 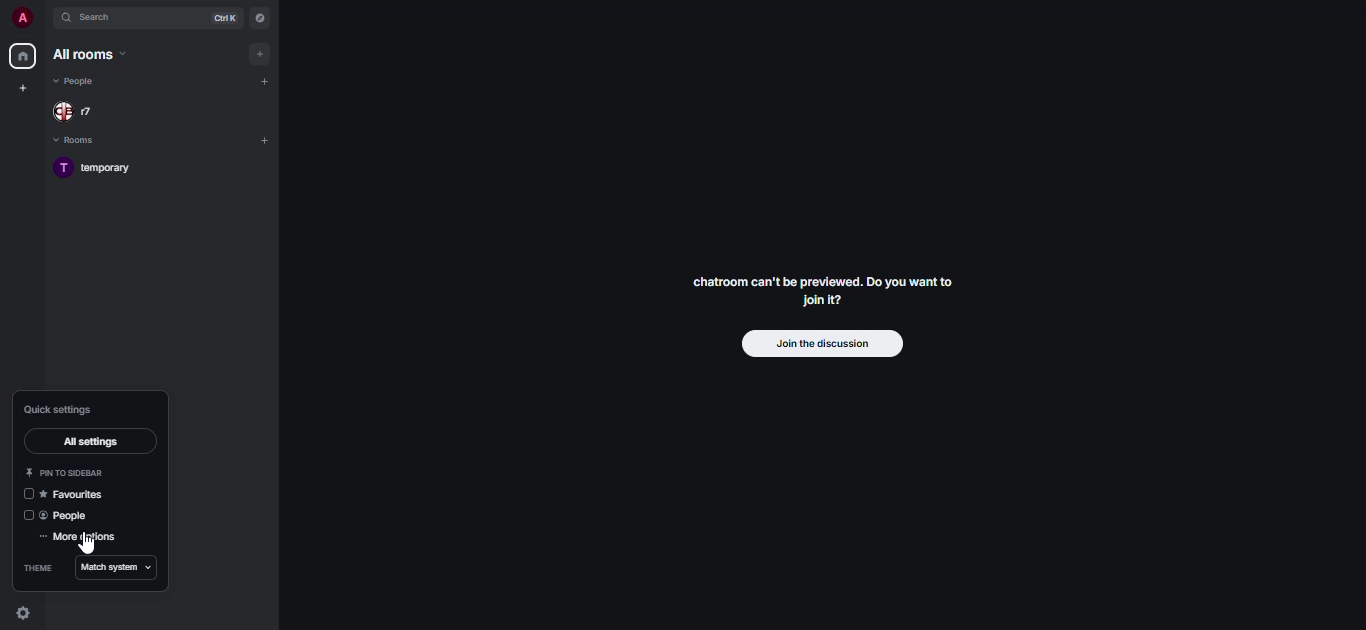 I want to click on cursor, so click(x=86, y=548).